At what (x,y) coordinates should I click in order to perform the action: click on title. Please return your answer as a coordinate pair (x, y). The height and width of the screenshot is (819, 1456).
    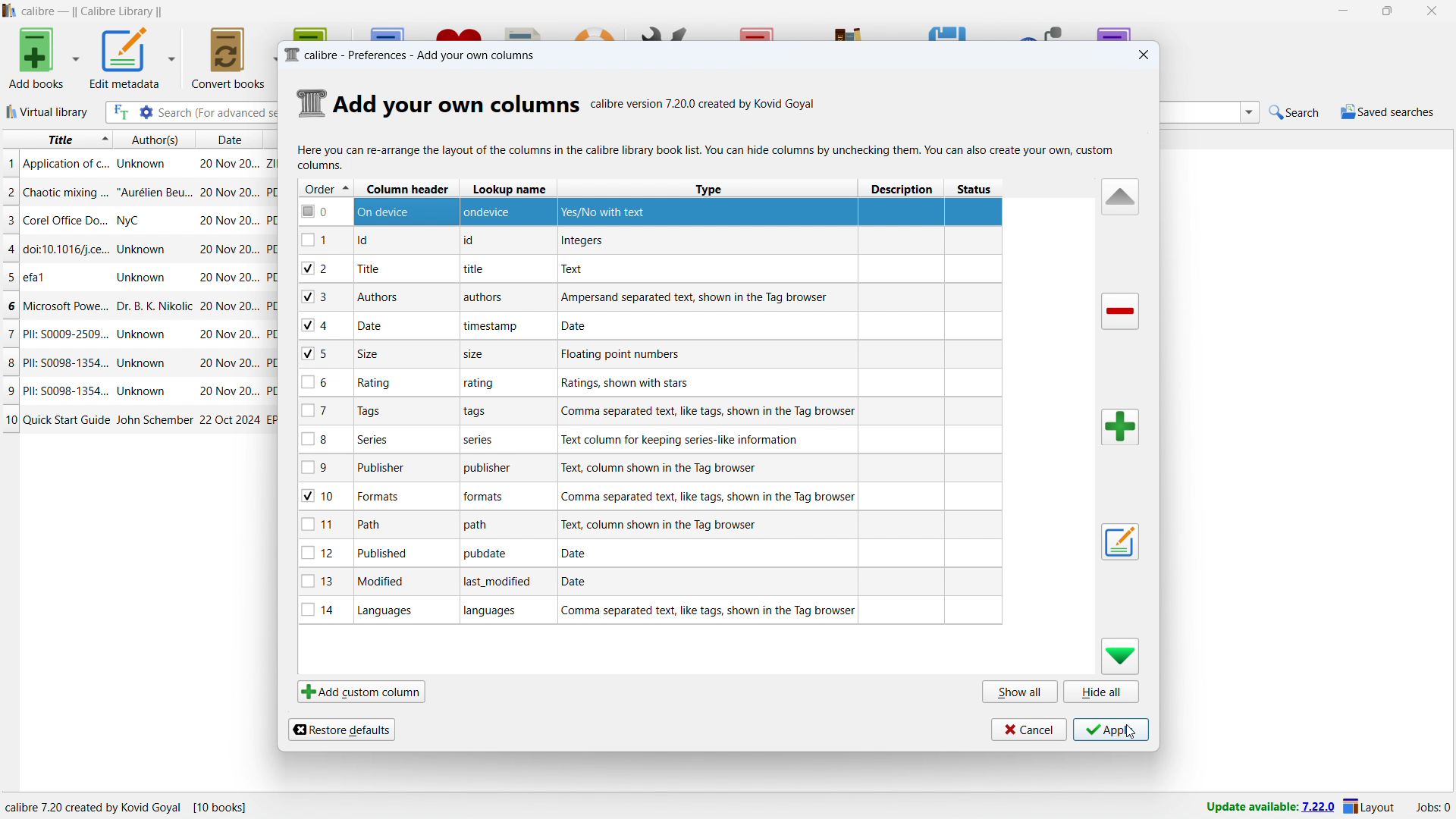
    Looking at the image, I should click on (67, 193).